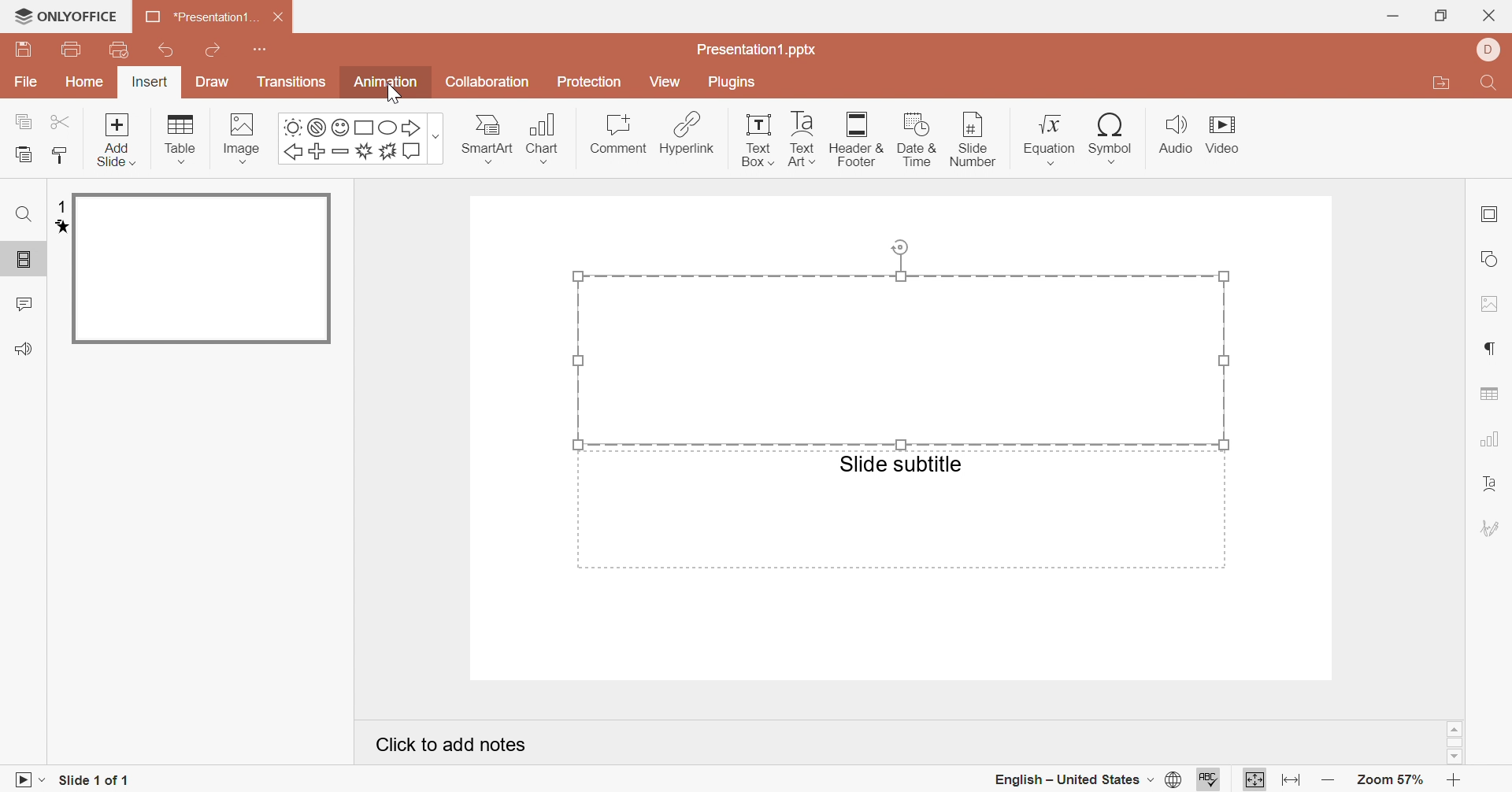 Image resolution: width=1512 pixels, height=792 pixels. I want to click on animation, so click(386, 80).